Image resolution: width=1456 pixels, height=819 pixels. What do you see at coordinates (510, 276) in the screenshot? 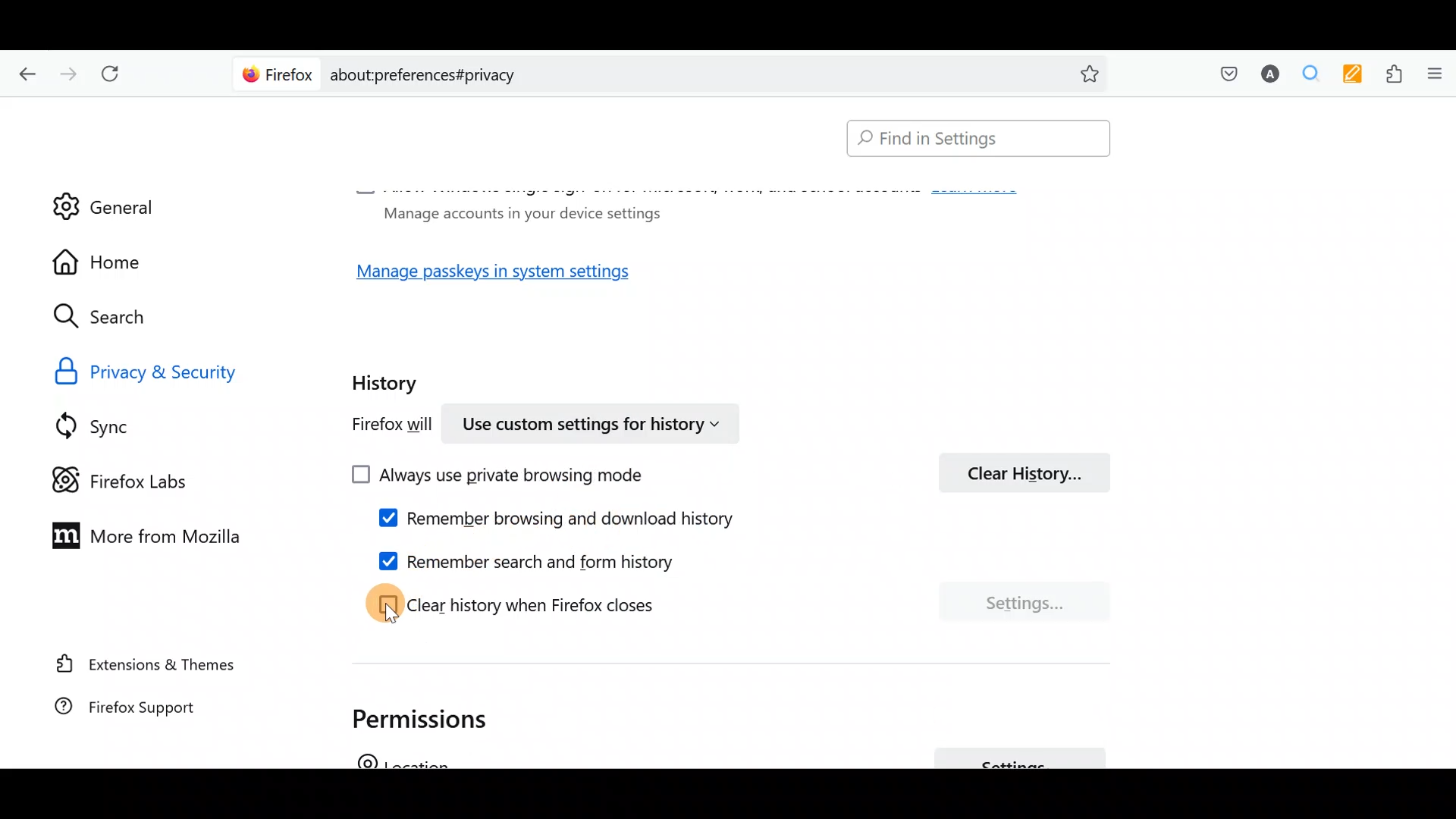
I see `Manage passkeys in system settings` at bounding box center [510, 276].